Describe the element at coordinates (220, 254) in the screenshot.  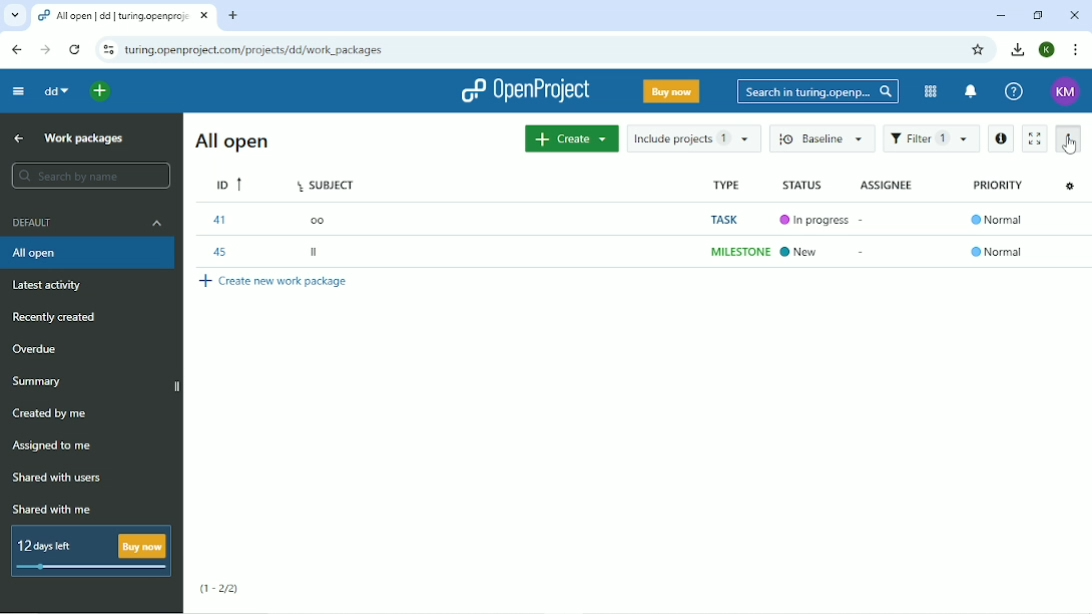
I see `45` at that location.